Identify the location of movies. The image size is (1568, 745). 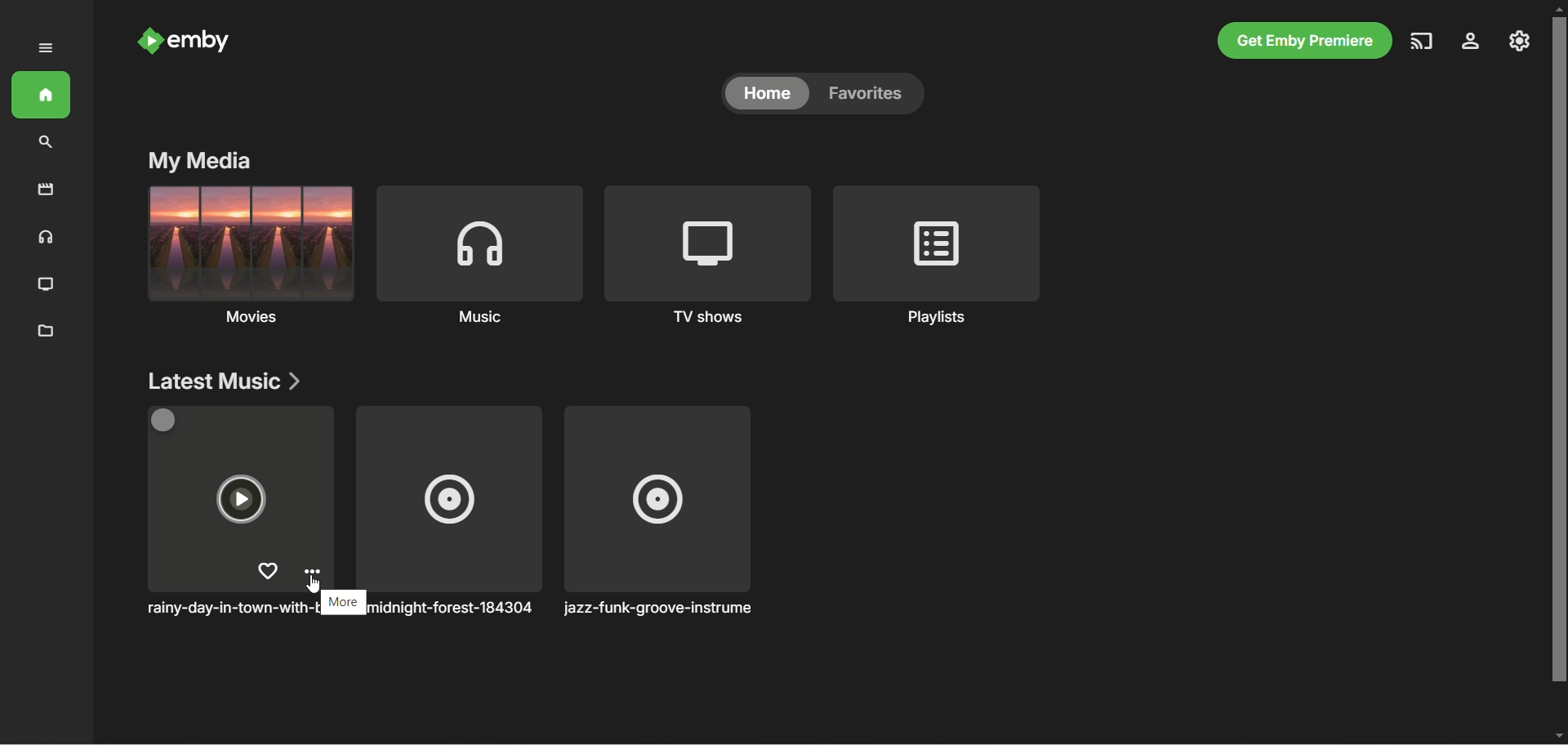
(248, 260).